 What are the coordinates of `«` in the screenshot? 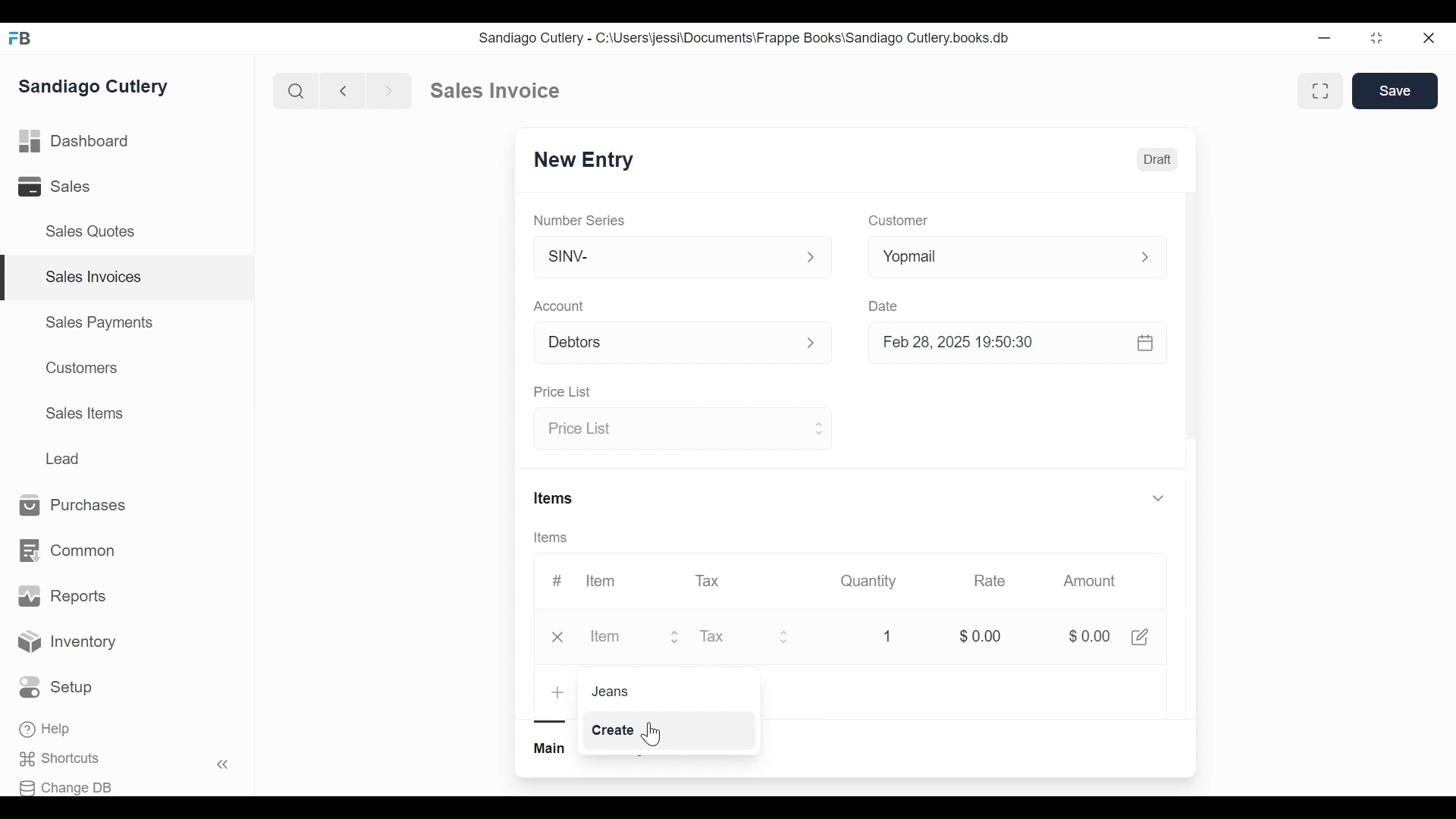 It's located at (223, 767).